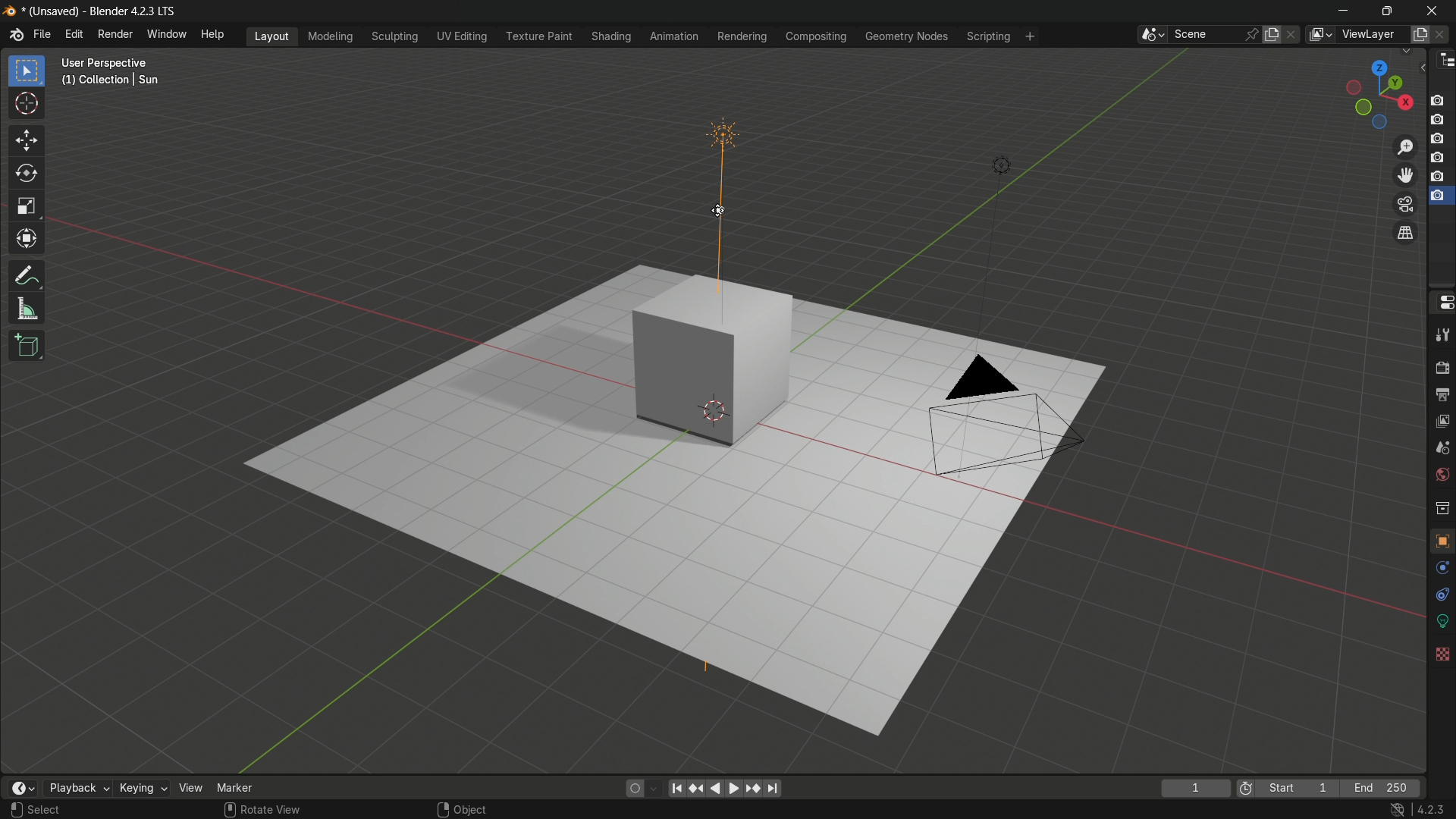 Image resolution: width=1456 pixels, height=819 pixels. What do you see at coordinates (111, 80) in the screenshot?
I see `(1) Collection | Sun` at bounding box center [111, 80].